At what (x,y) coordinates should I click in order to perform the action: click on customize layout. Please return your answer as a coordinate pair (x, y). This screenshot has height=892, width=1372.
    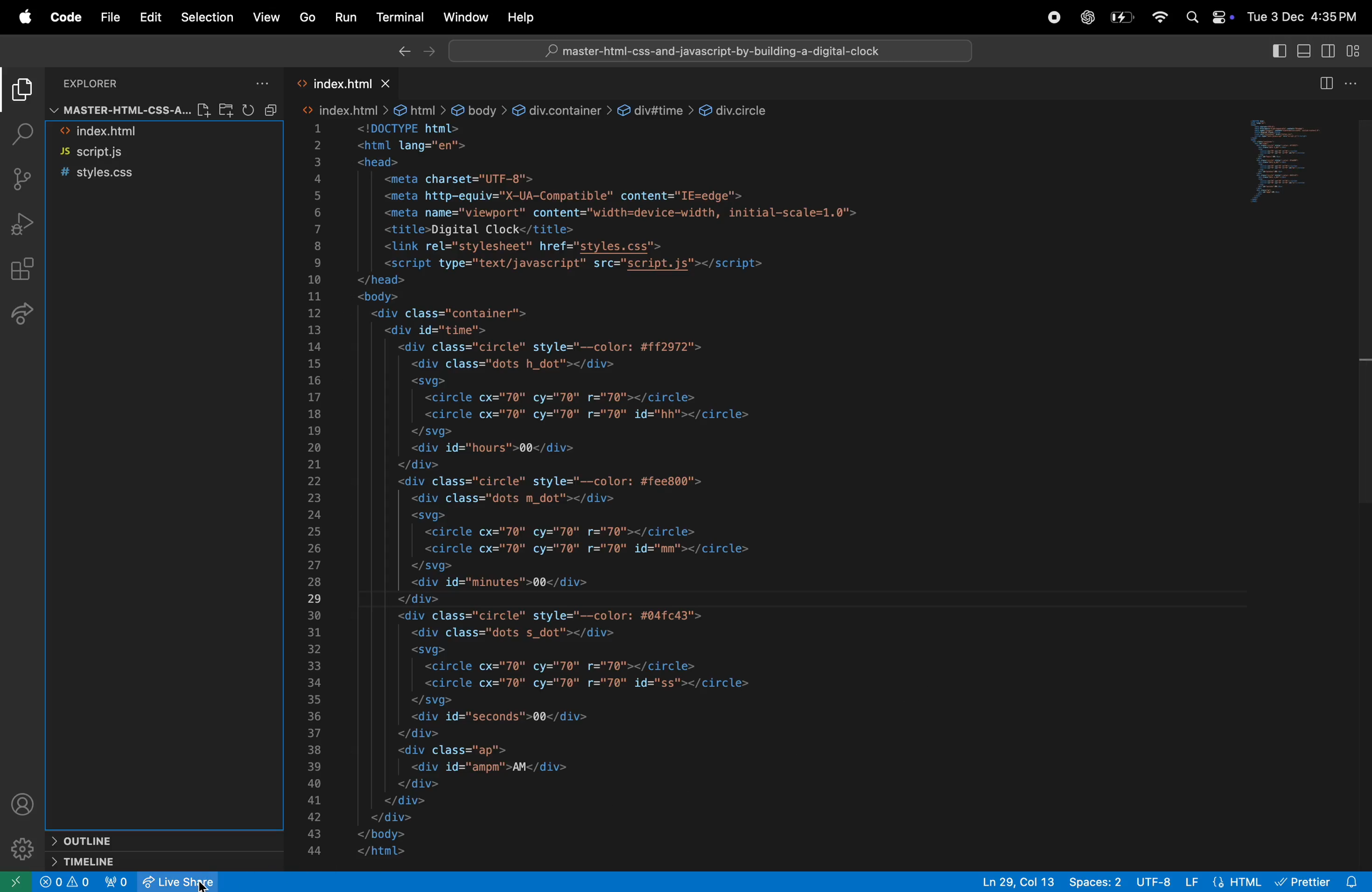
    Looking at the image, I should click on (1358, 50).